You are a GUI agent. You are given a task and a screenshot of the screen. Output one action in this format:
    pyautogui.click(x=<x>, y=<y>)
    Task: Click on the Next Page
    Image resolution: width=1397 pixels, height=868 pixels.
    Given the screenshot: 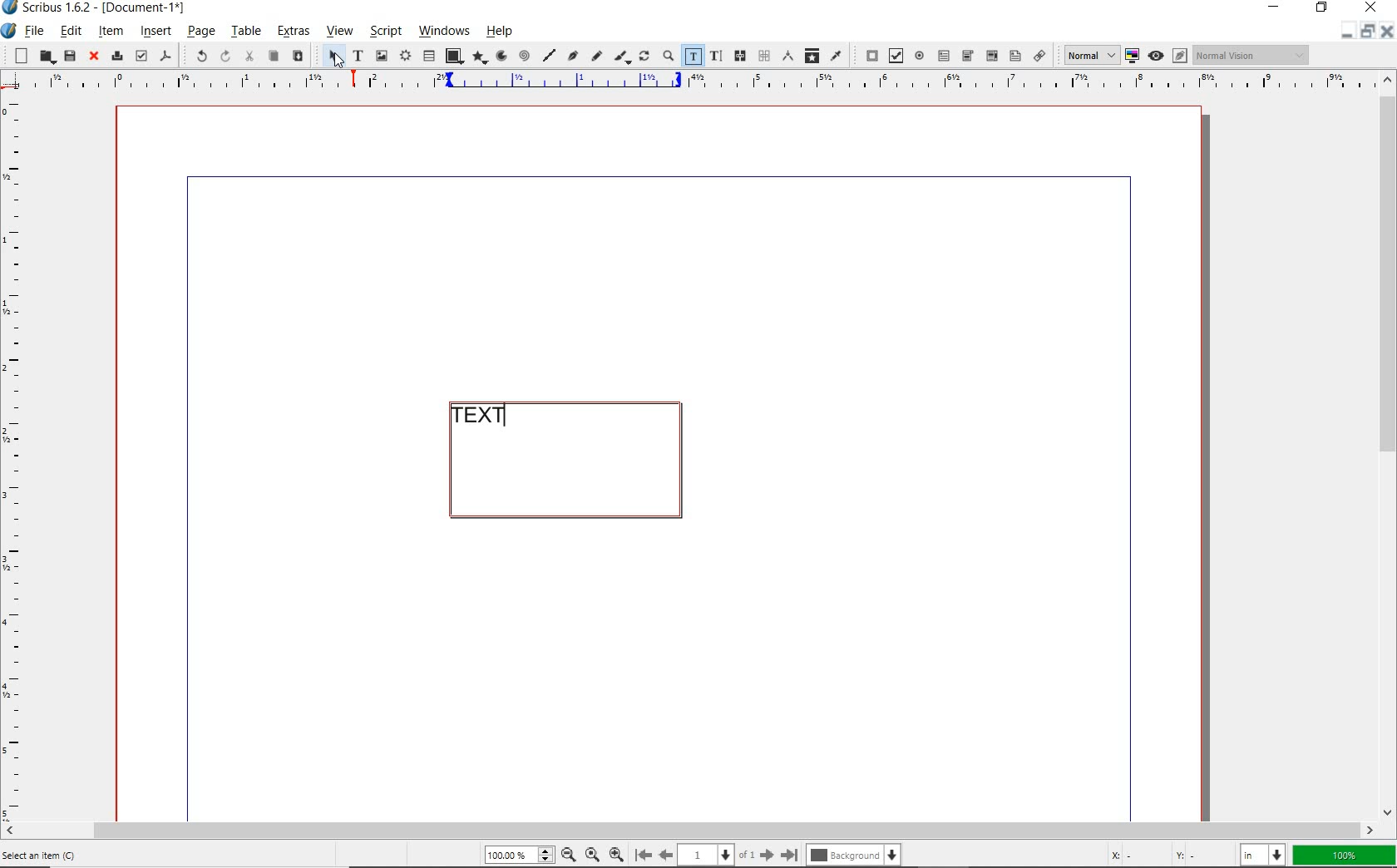 What is the action you would take?
    pyautogui.click(x=768, y=855)
    